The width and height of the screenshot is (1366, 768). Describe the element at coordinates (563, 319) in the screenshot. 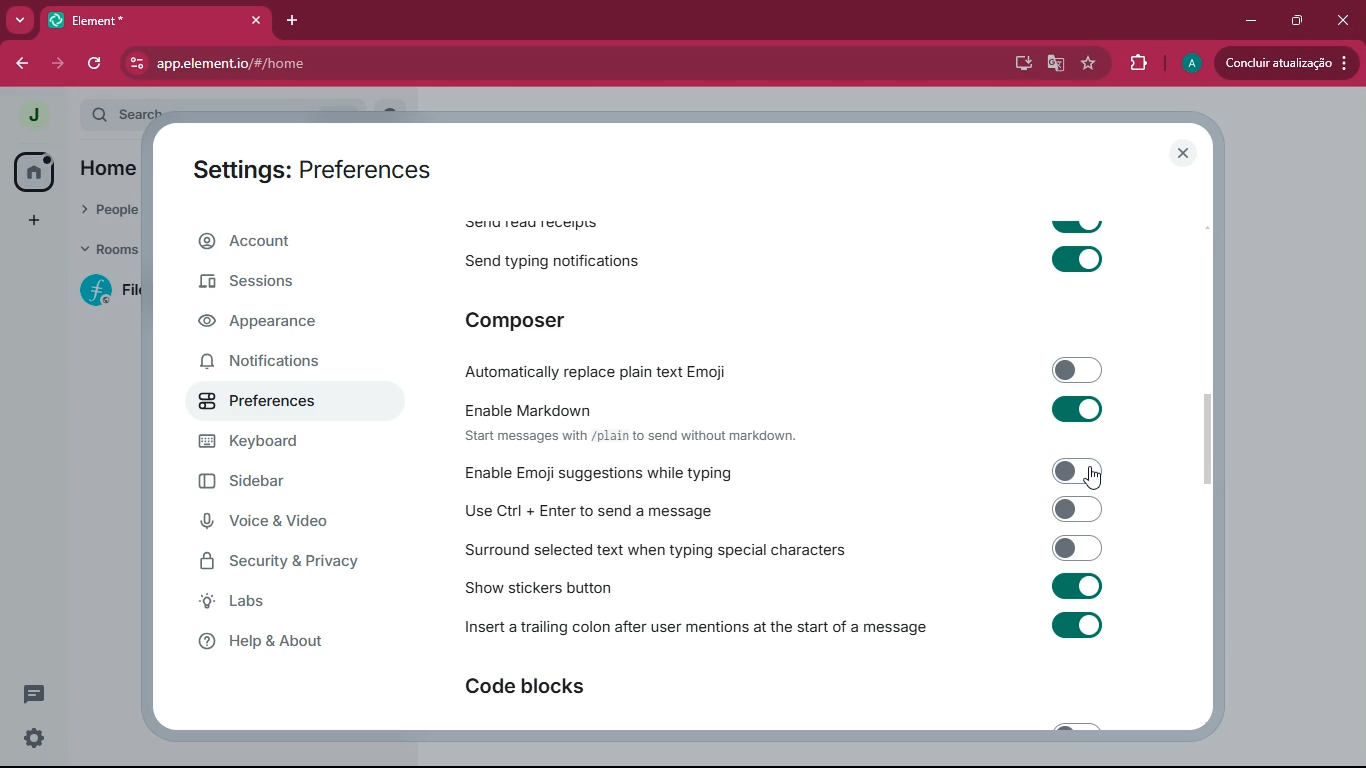

I see `composer` at that location.